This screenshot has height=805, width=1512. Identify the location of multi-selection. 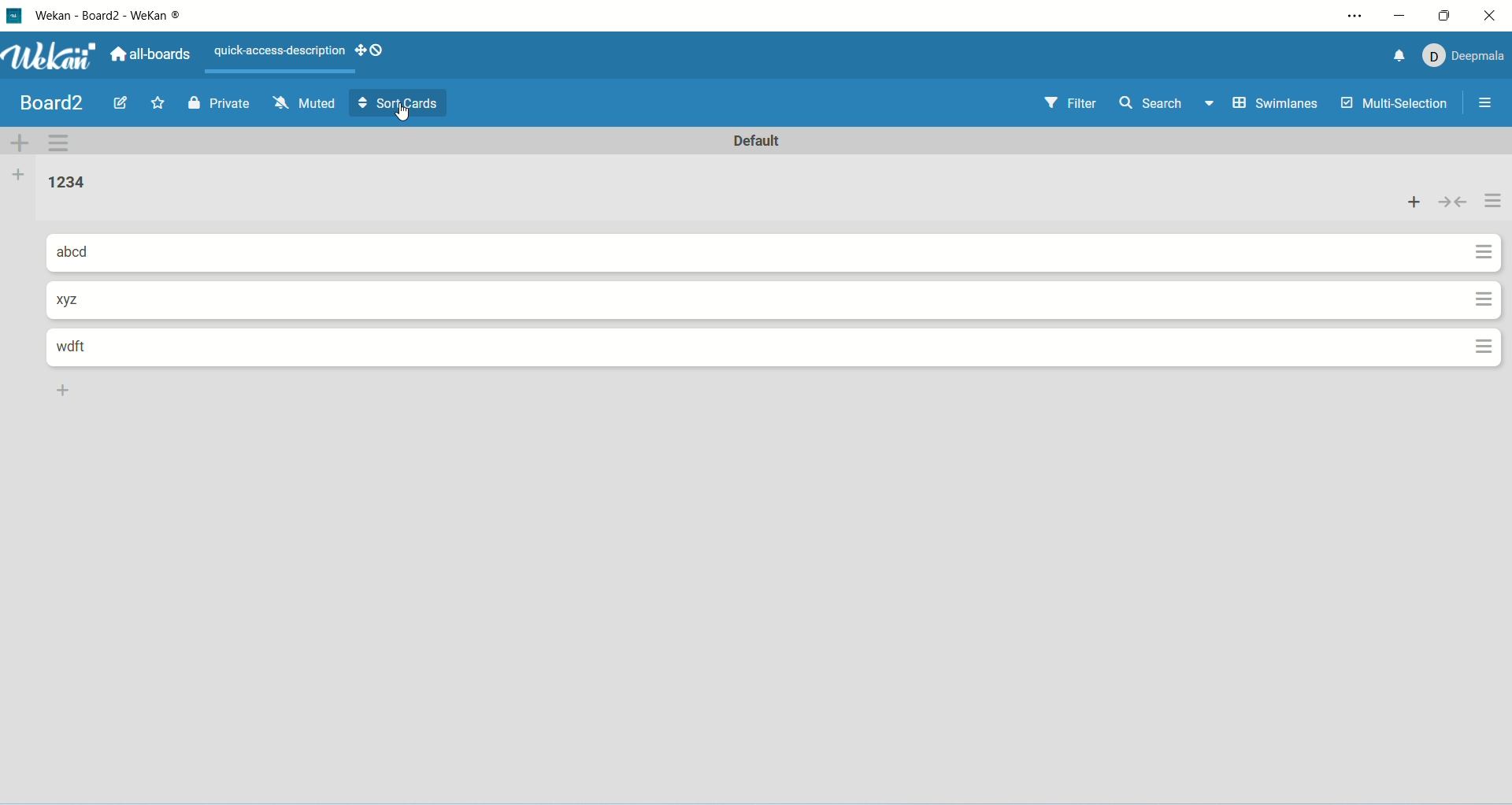
(1396, 103).